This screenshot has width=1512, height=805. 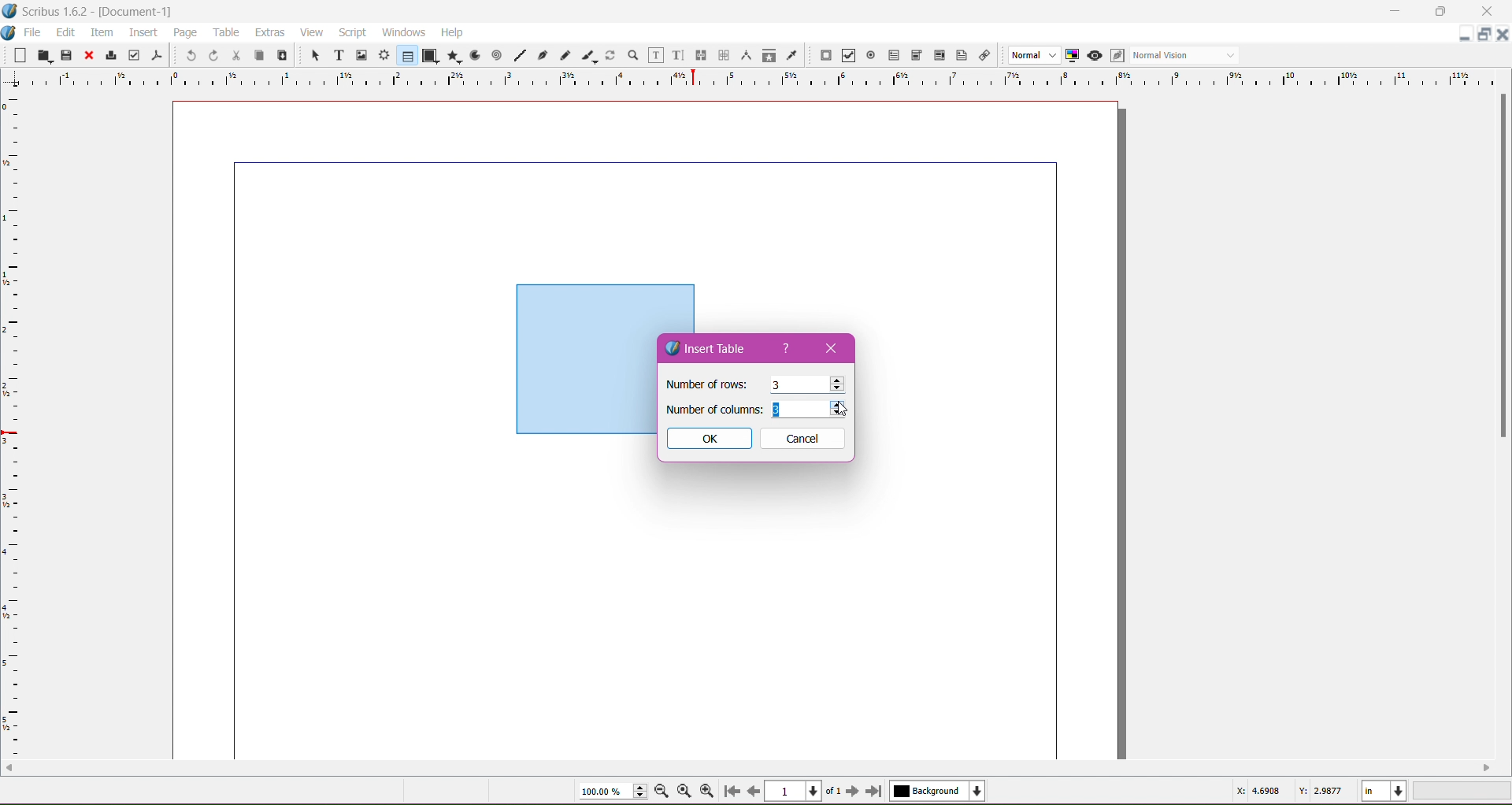 What do you see at coordinates (832, 789) in the screenshot?
I see `of 1` at bounding box center [832, 789].